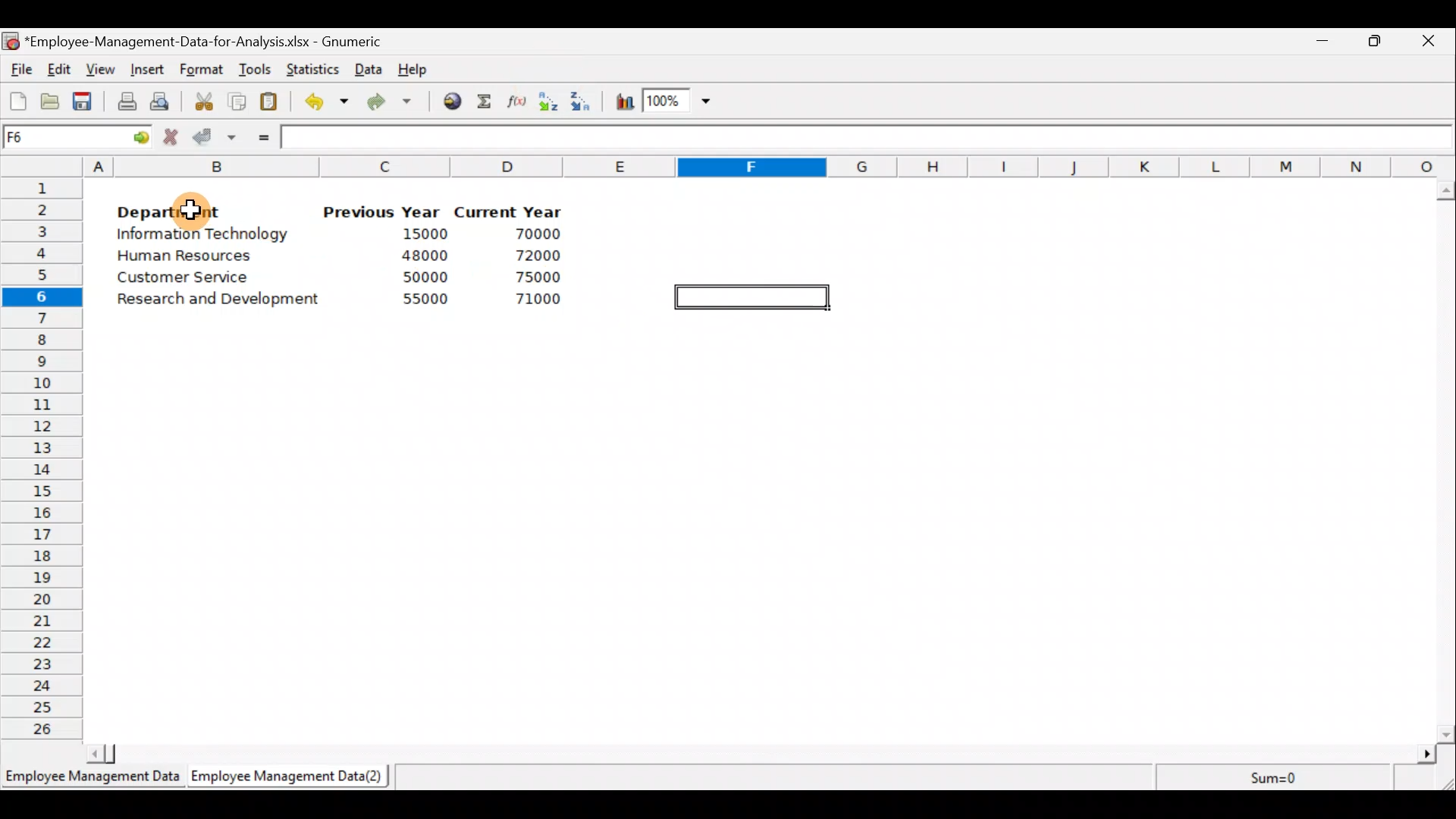 Image resolution: width=1456 pixels, height=819 pixels. I want to click on Employee Management Data, so click(91, 781).